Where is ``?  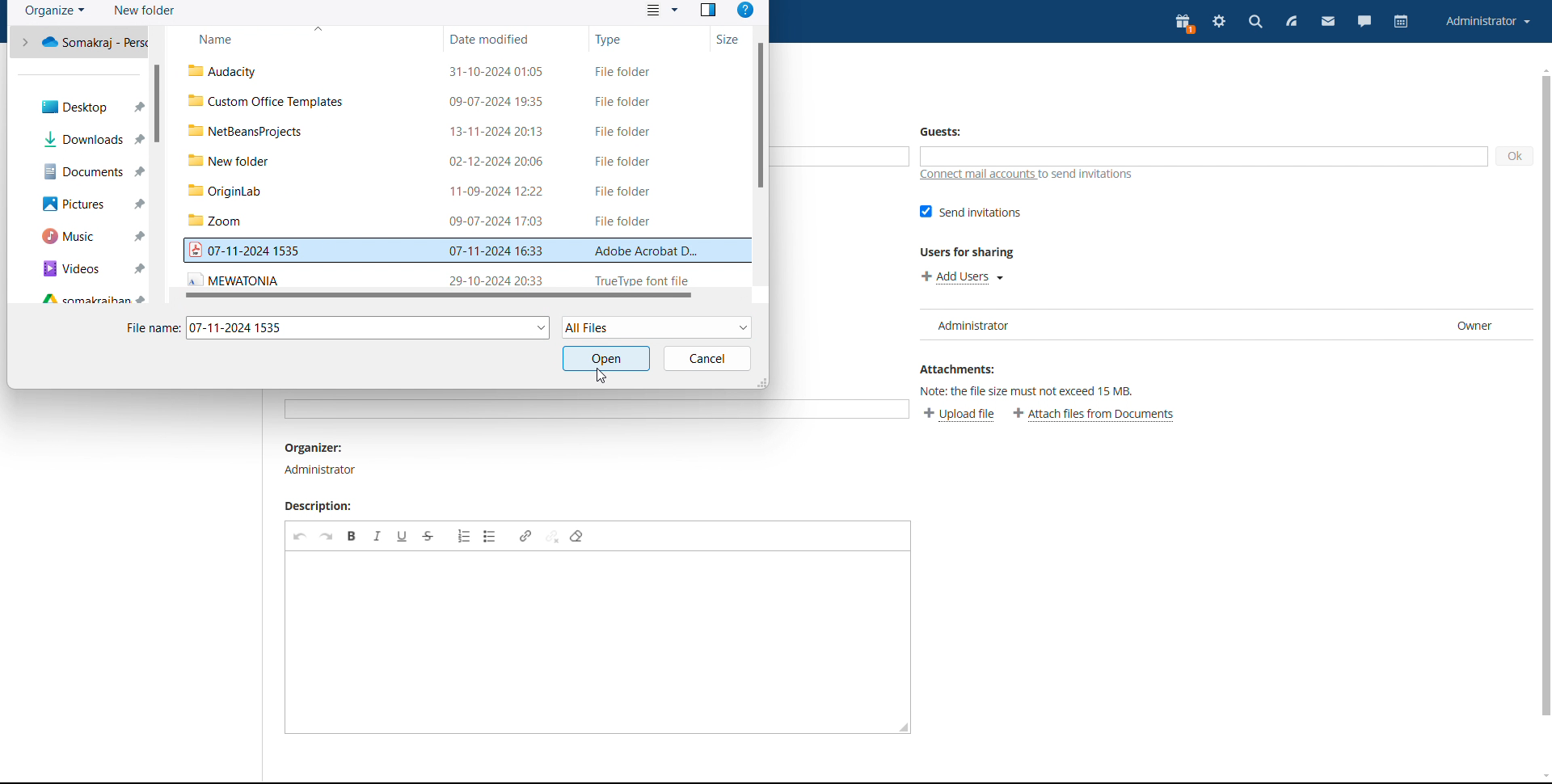
 is located at coordinates (90, 204).